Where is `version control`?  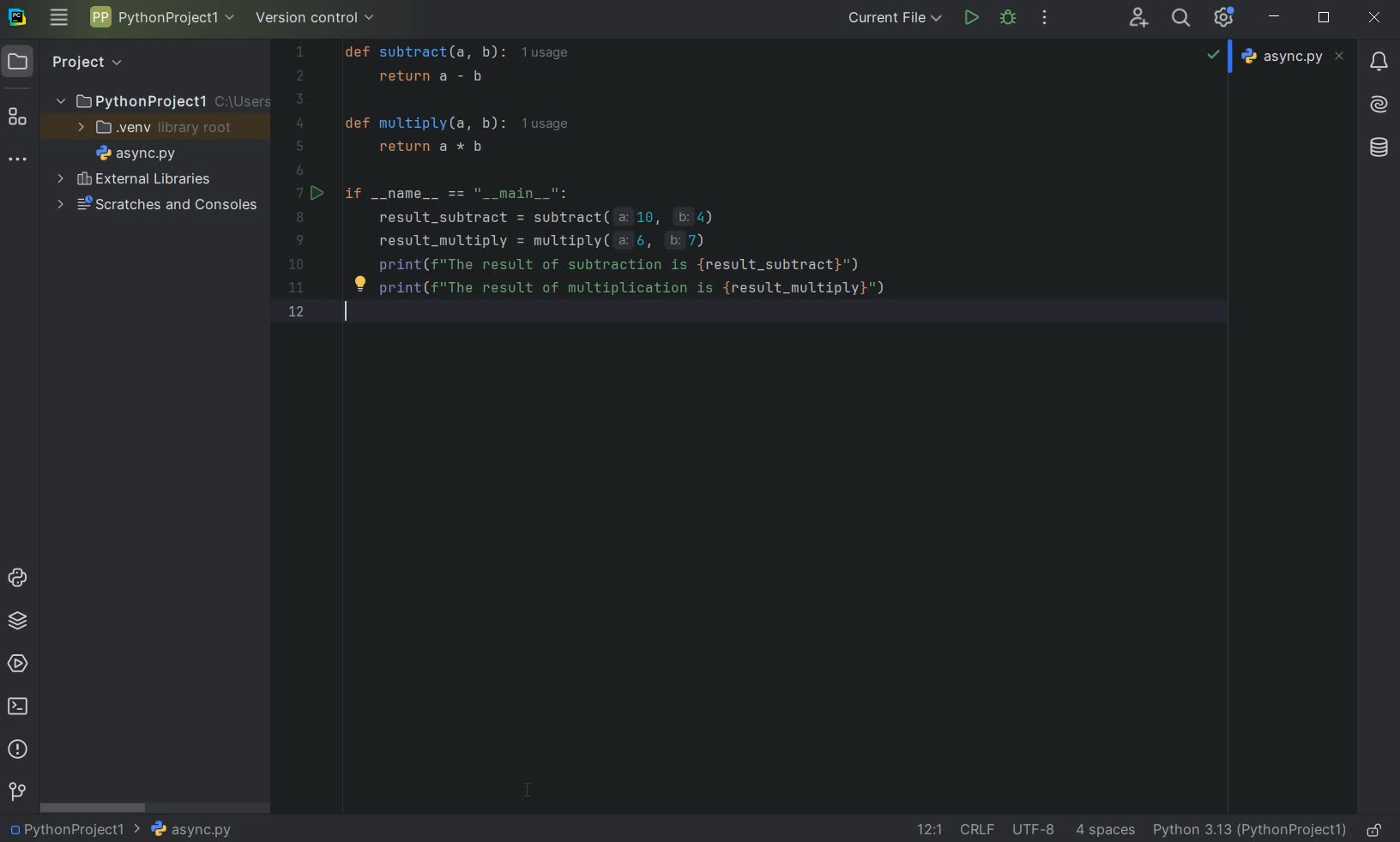 version control is located at coordinates (17, 792).